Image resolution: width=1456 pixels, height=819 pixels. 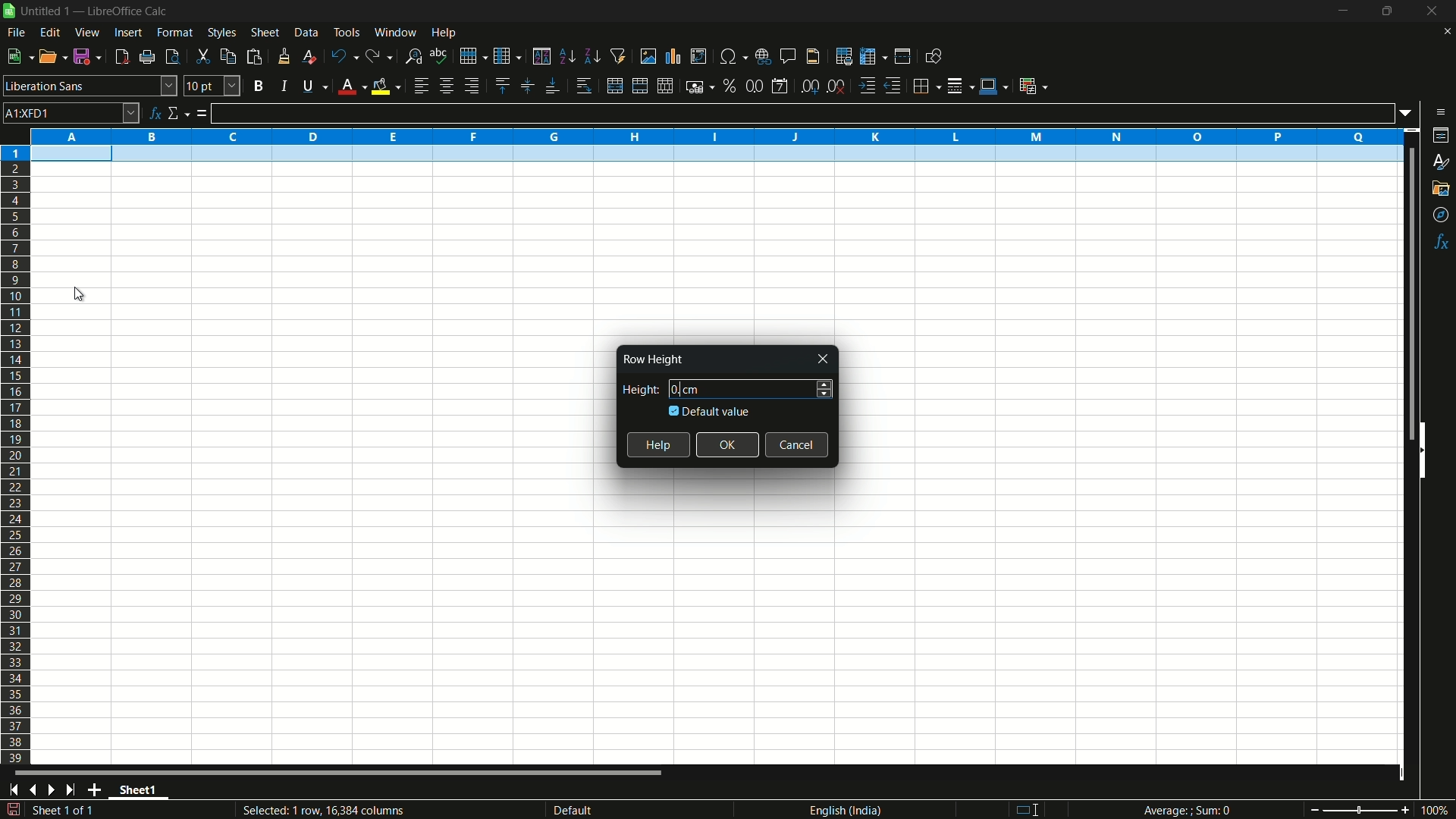 What do you see at coordinates (802, 113) in the screenshot?
I see `formula input line` at bounding box center [802, 113].